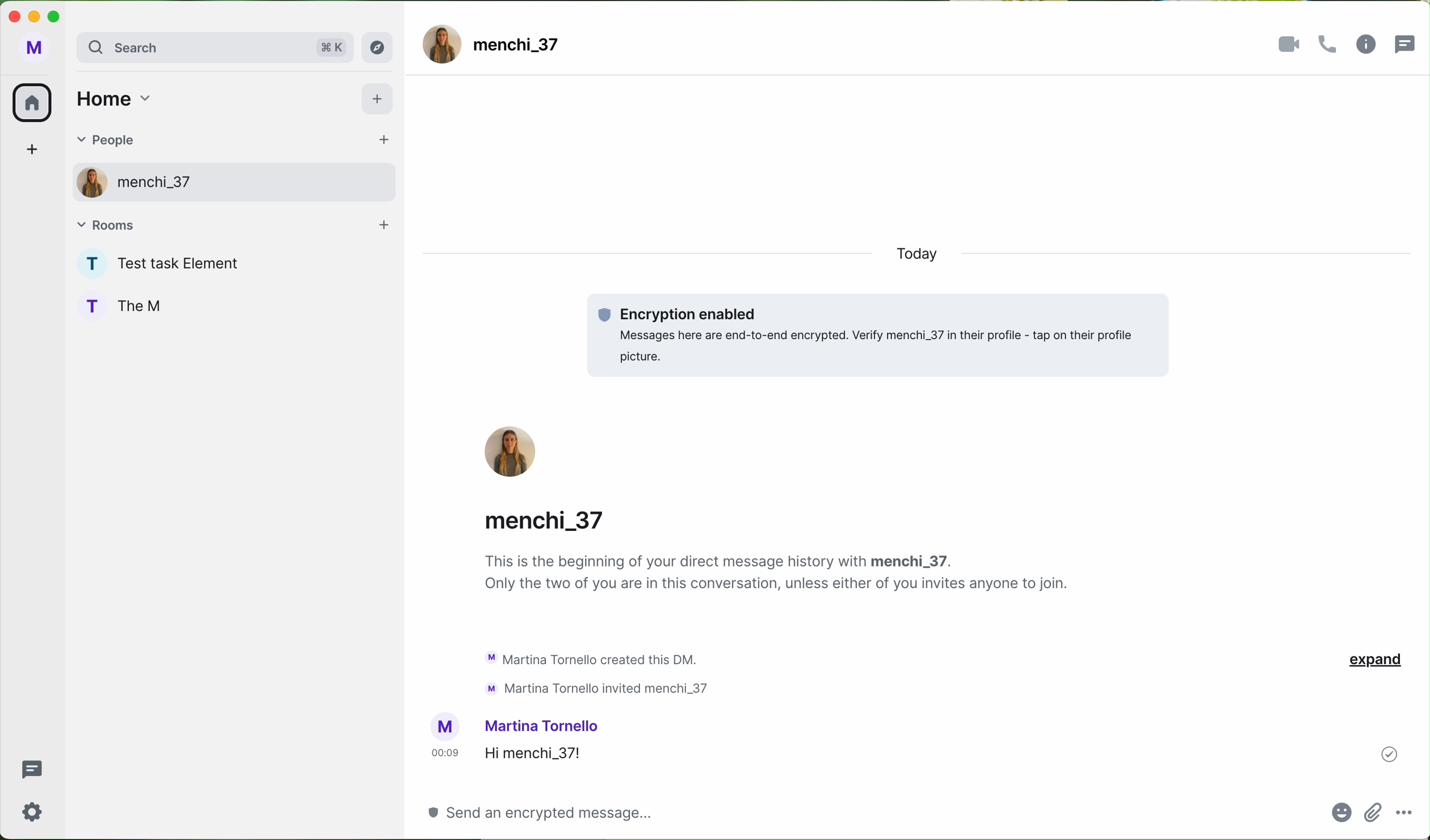 The width and height of the screenshot is (1430, 840). Describe the element at coordinates (182, 142) in the screenshot. I see `people tab` at that location.